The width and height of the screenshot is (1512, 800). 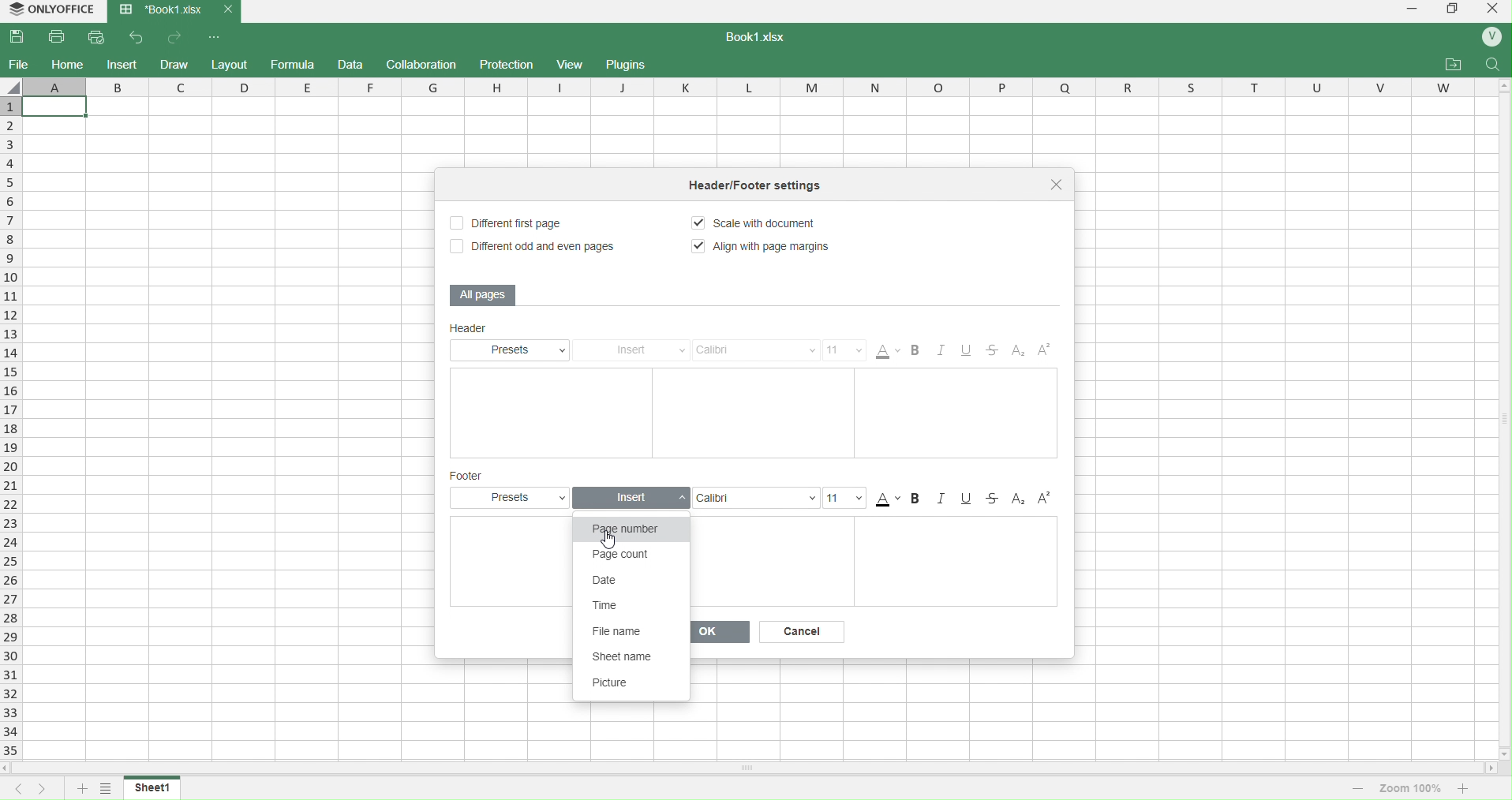 I want to click on cursor, so click(x=611, y=541).